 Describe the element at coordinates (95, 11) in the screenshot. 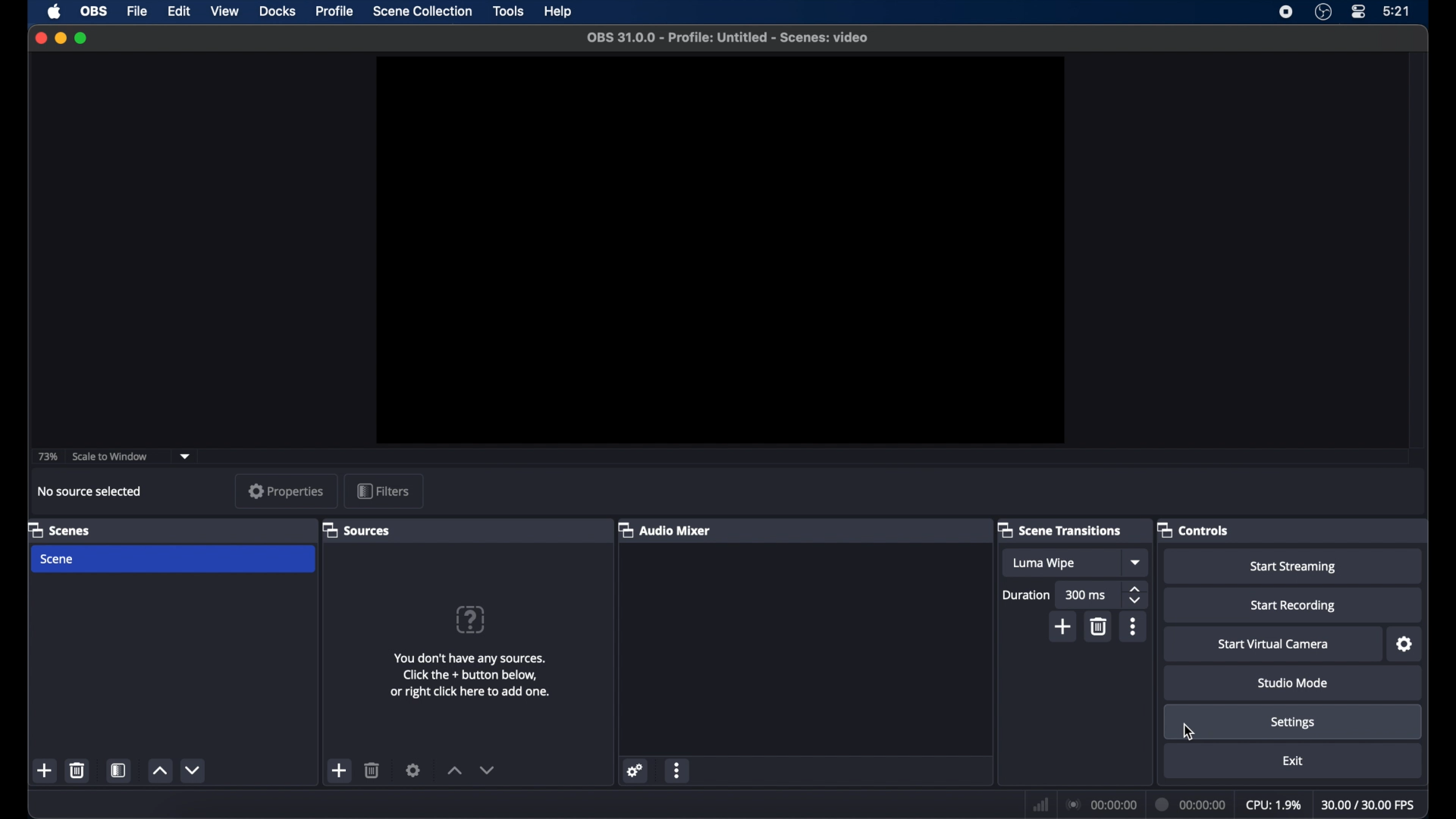

I see `ob` at that location.